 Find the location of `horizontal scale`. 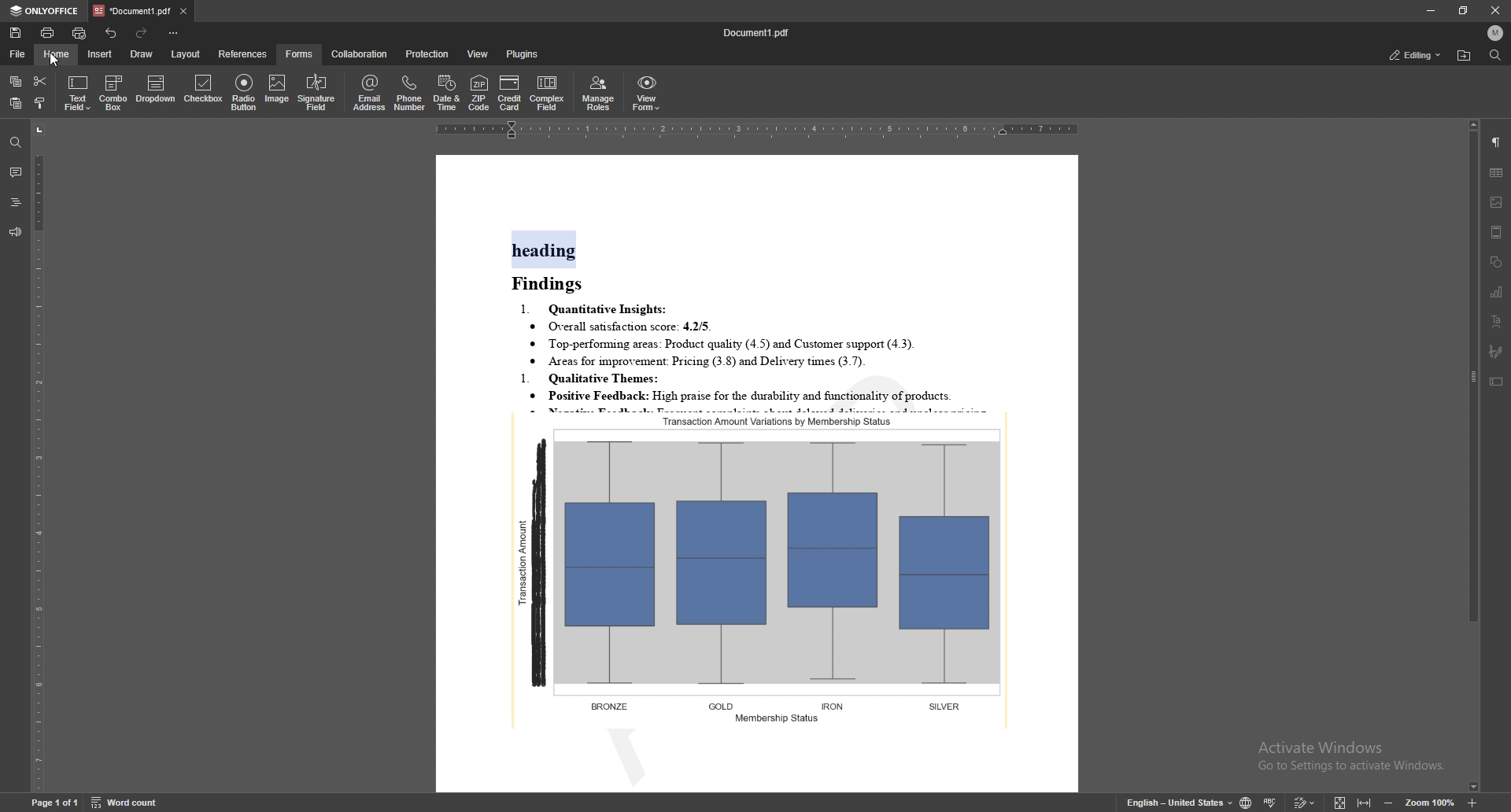

horizontal scale is located at coordinates (758, 131).